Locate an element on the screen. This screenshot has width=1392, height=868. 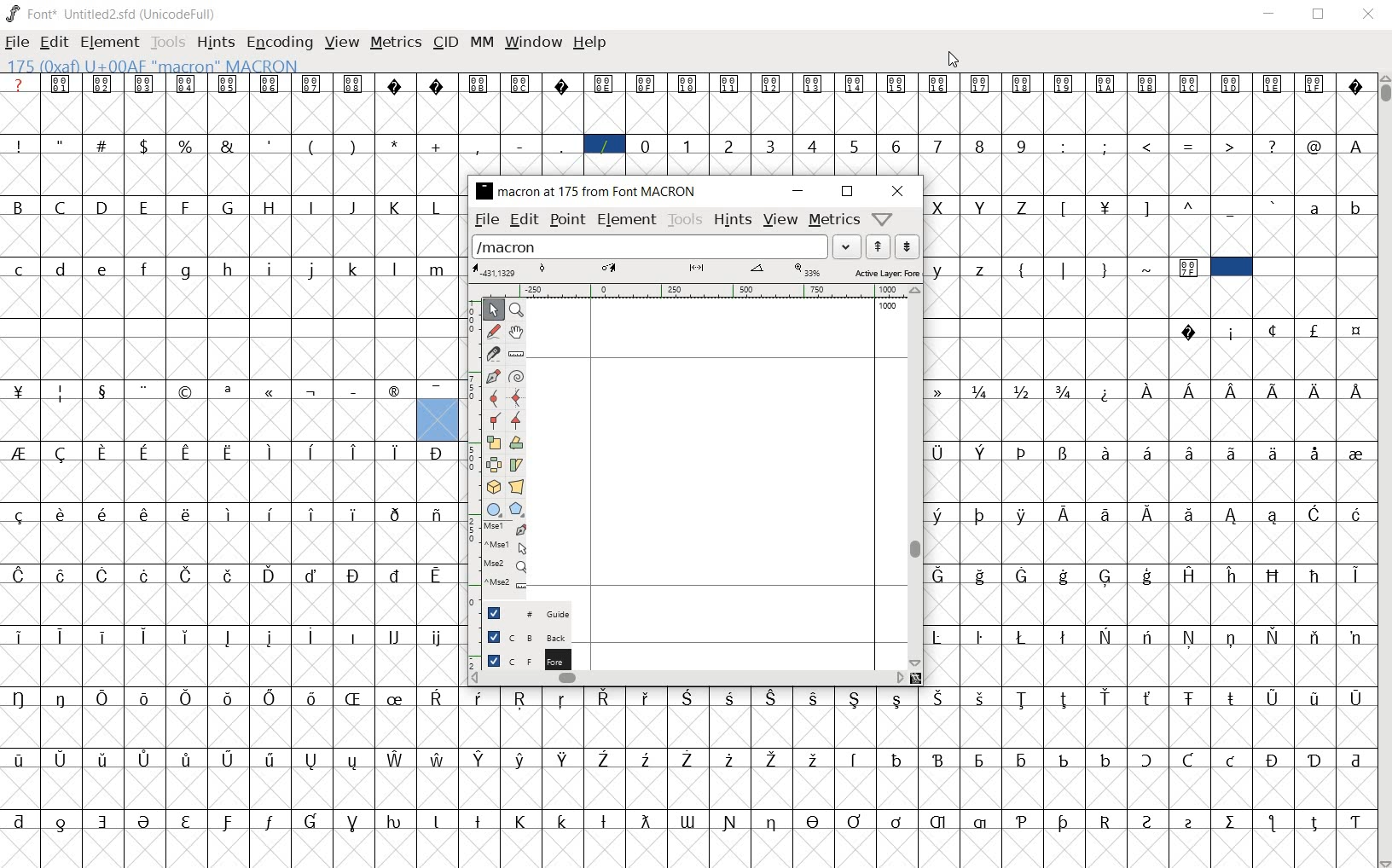
? is located at coordinates (20, 85).